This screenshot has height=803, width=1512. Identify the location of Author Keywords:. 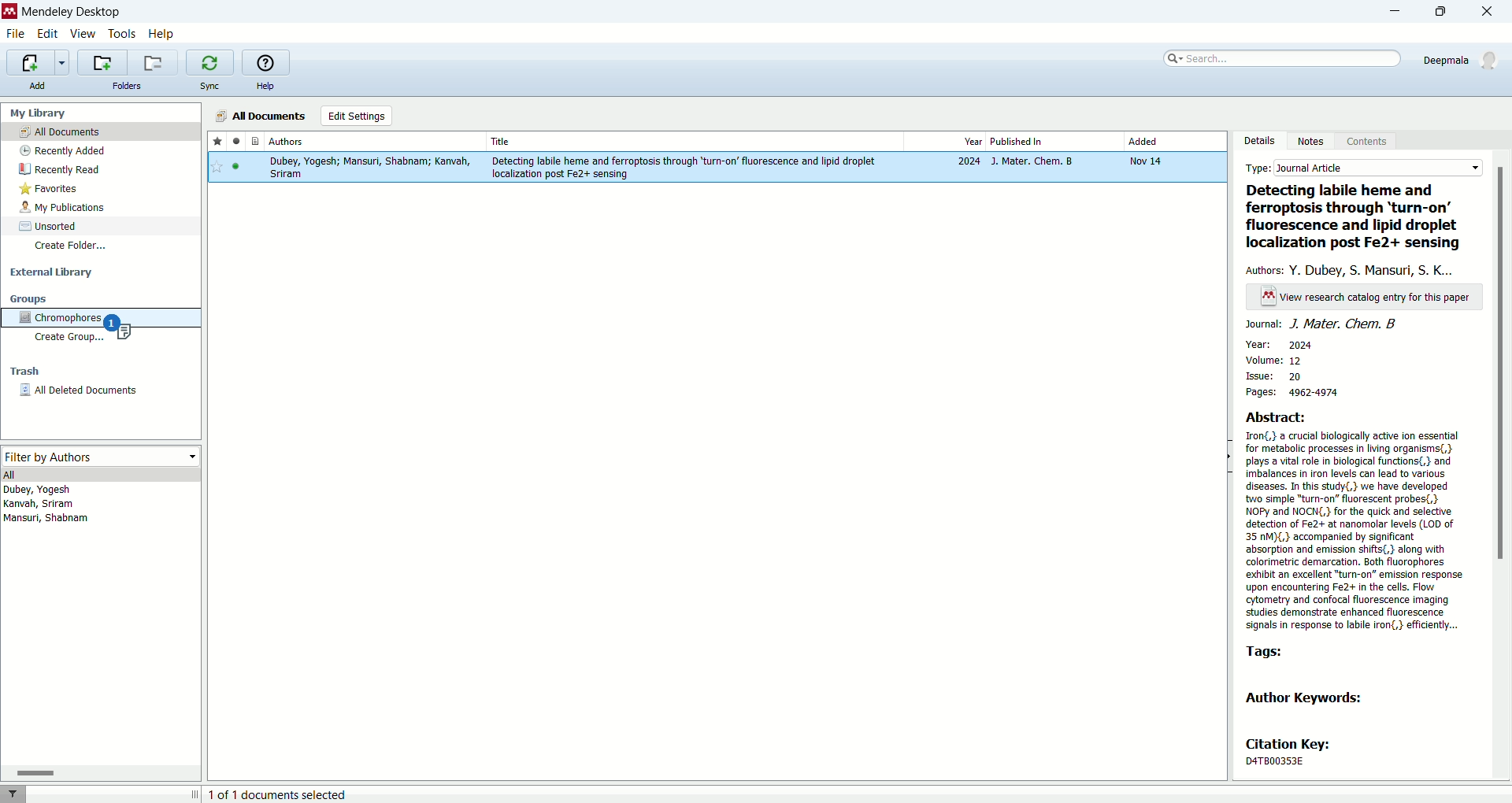
(1310, 698).